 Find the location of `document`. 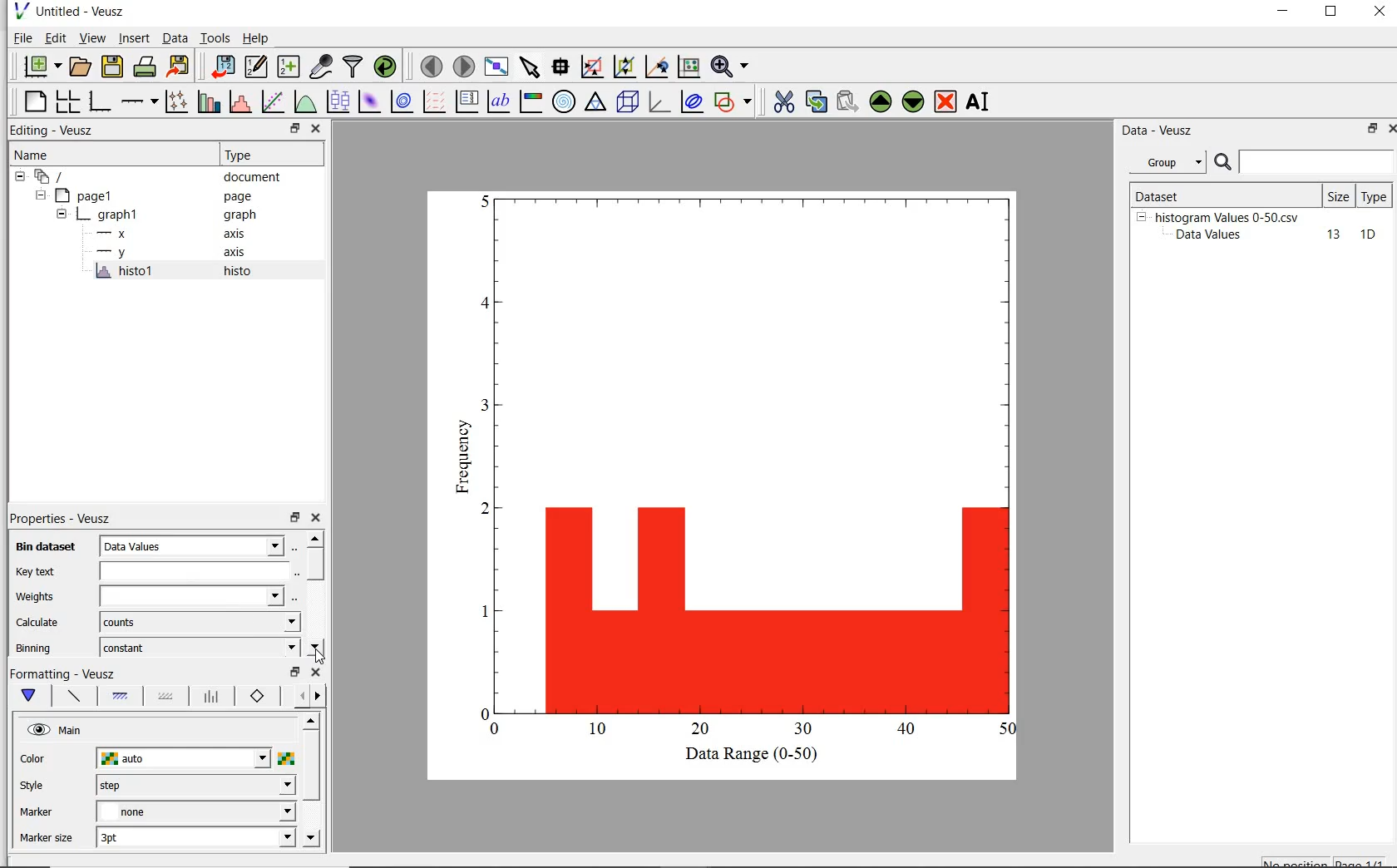

document is located at coordinates (253, 179).